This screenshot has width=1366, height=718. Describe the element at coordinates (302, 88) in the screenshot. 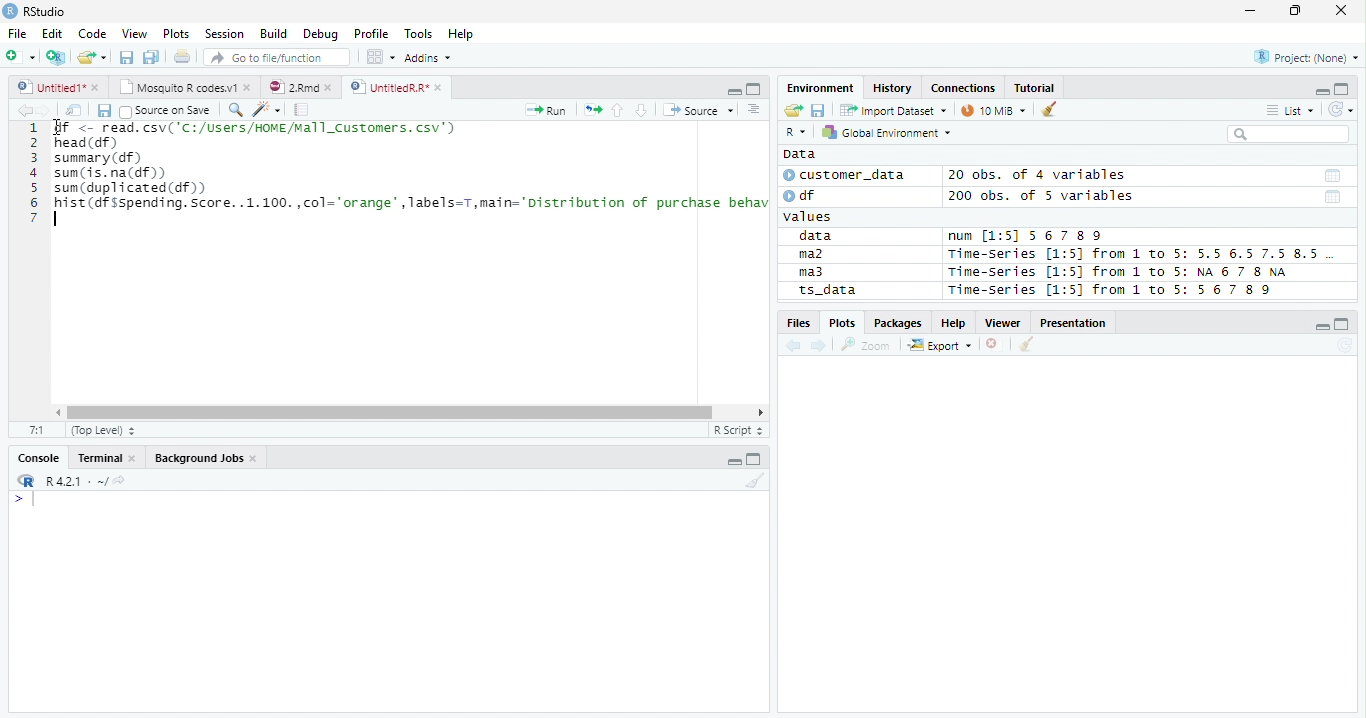

I see `2.Rmd` at that location.